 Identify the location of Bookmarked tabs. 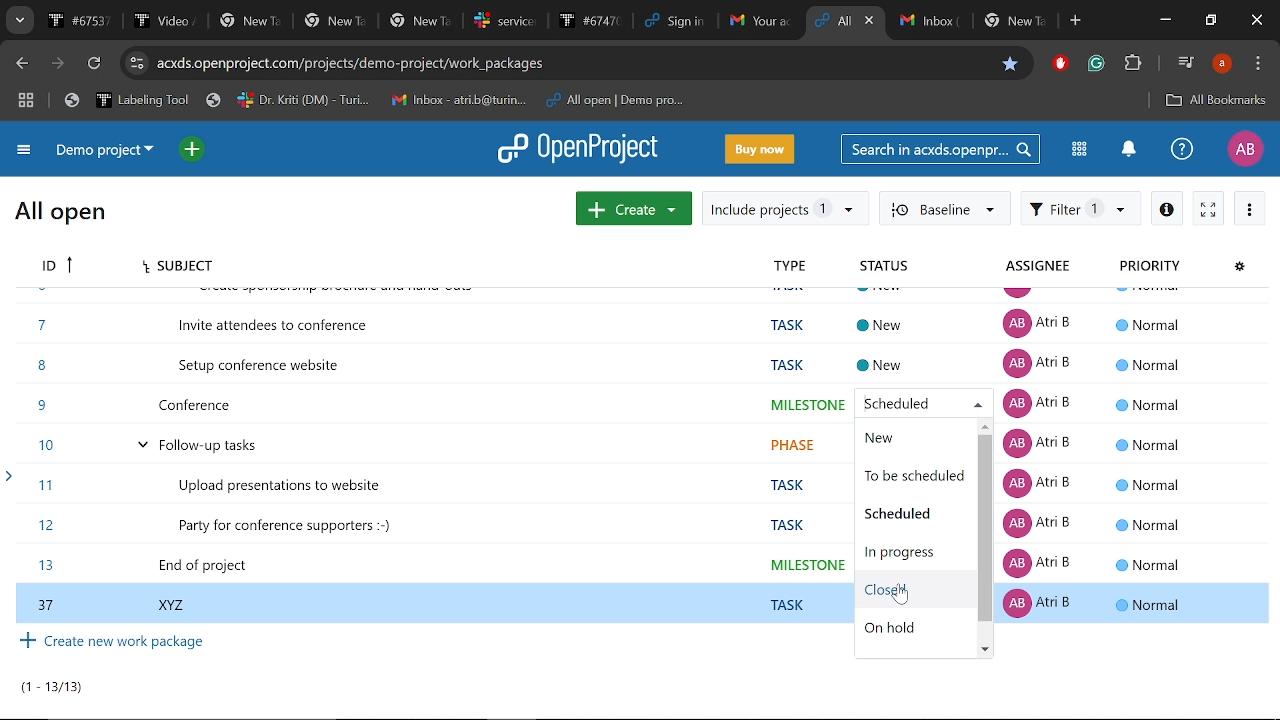
(380, 101).